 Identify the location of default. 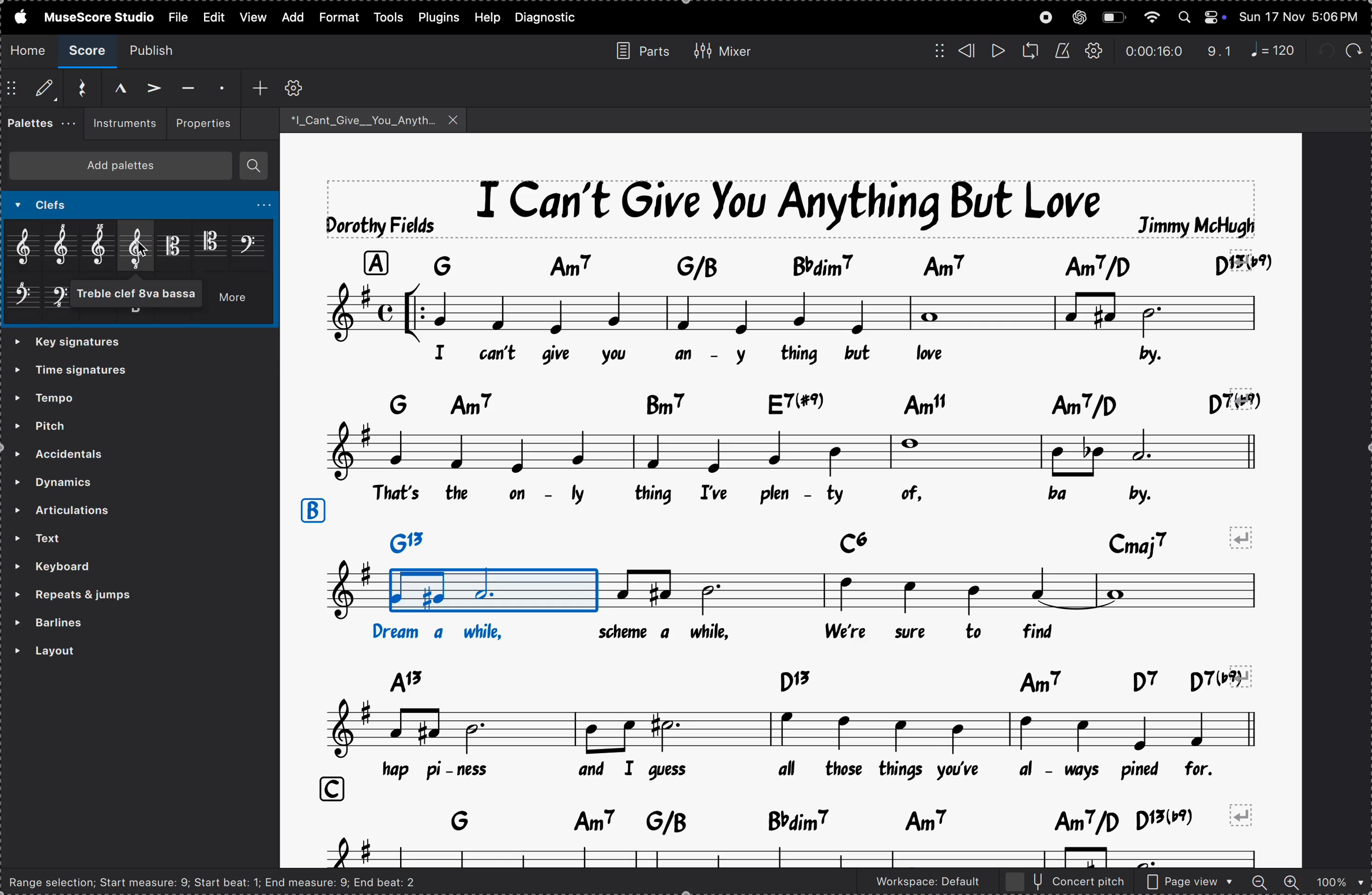
(33, 90).